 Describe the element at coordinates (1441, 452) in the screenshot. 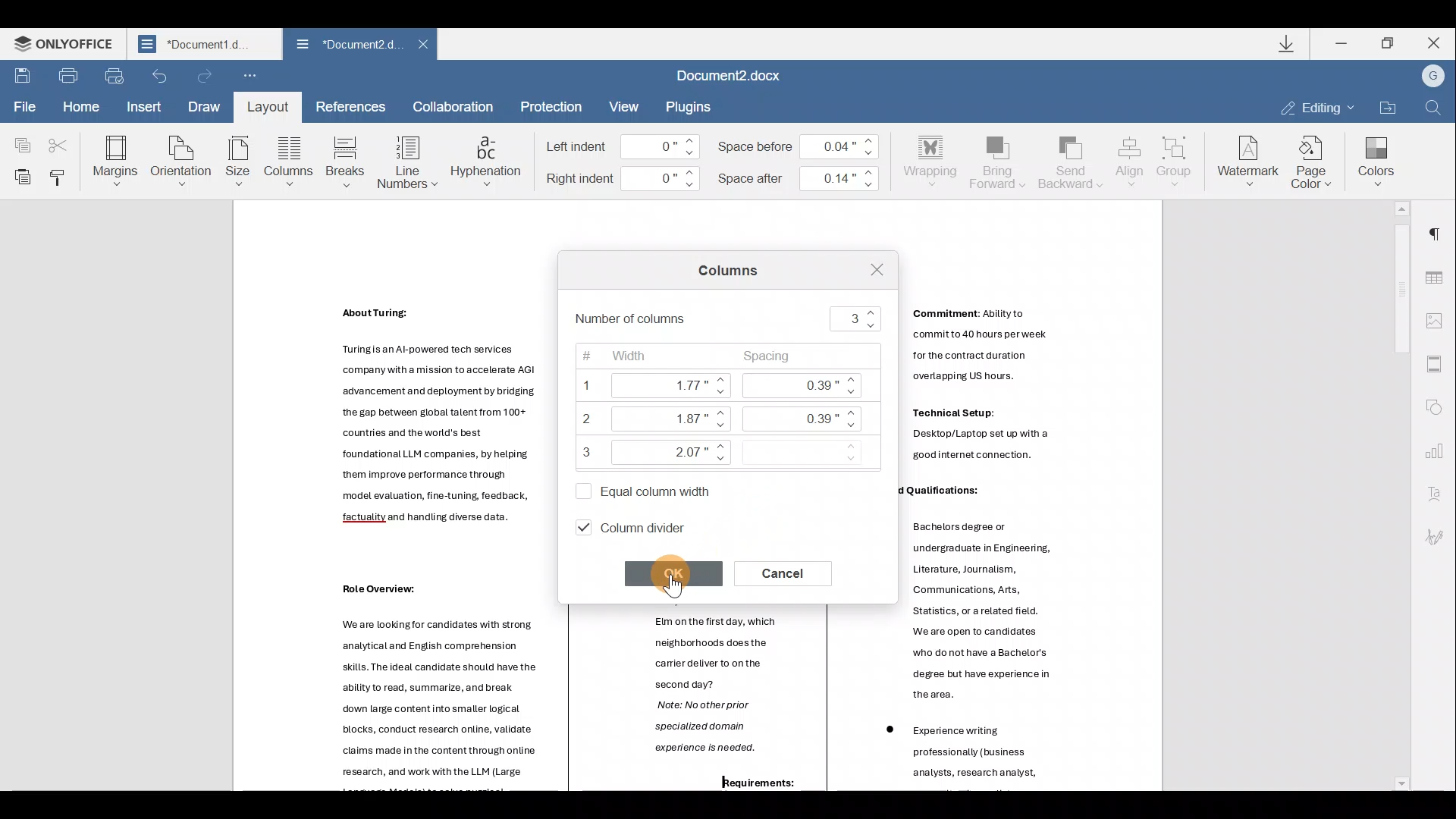

I see `Chart settings` at that location.